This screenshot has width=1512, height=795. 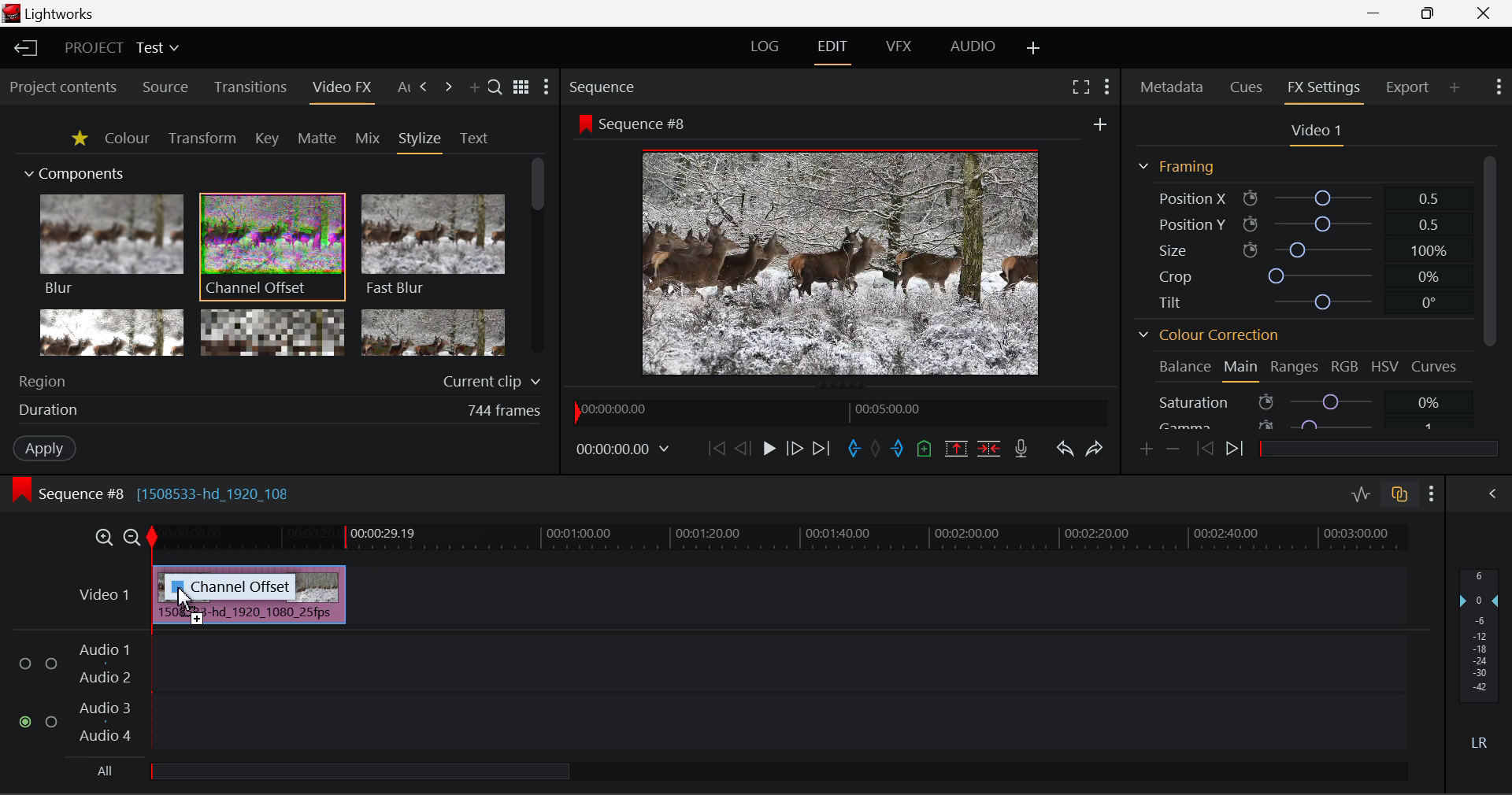 What do you see at coordinates (341, 91) in the screenshot?
I see `Video FX` at bounding box center [341, 91].